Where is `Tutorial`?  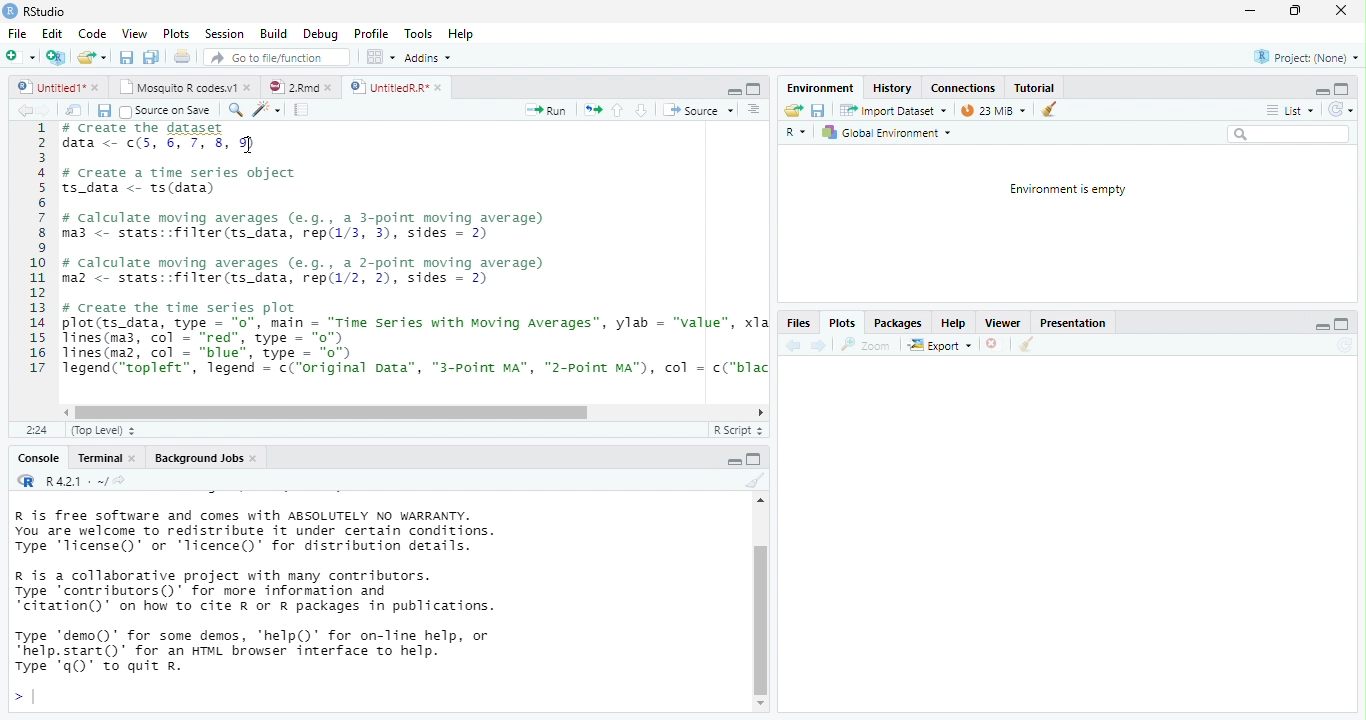
Tutorial is located at coordinates (1035, 87).